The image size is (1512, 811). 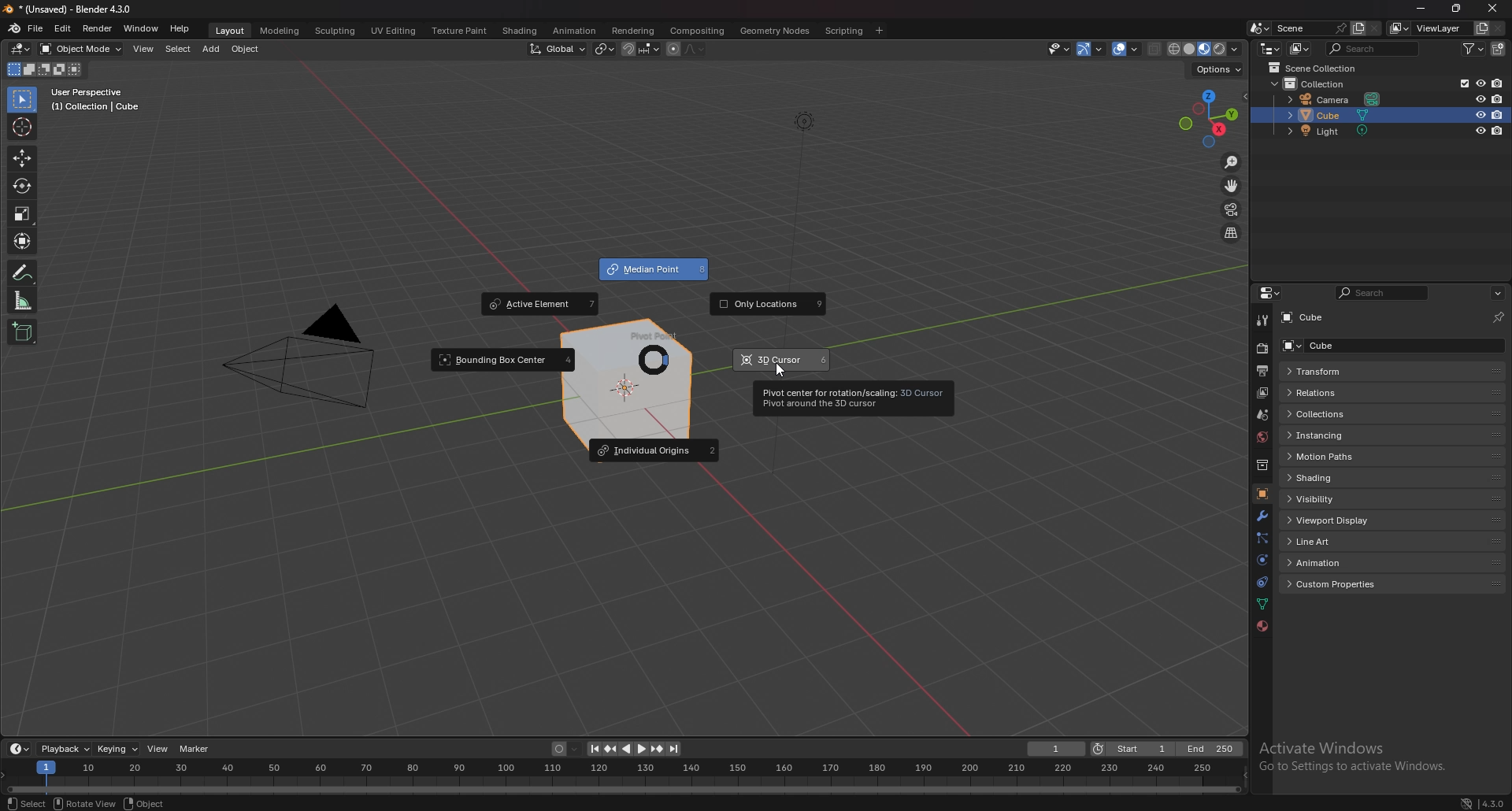 I want to click on render, so click(x=97, y=28).